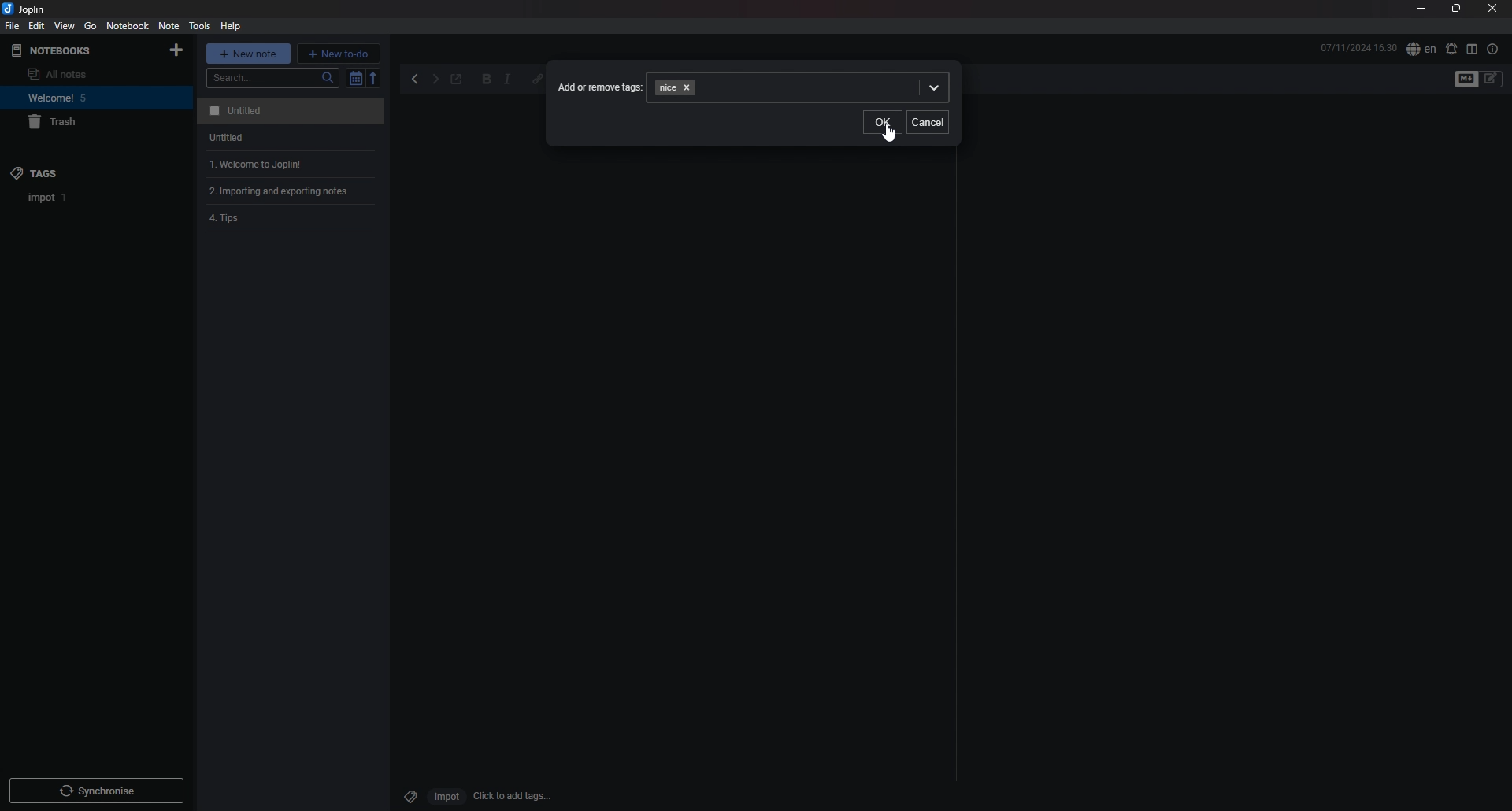 The image size is (1512, 811). What do you see at coordinates (1421, 10) in the screenshot?
I see `minimize` at bounding box center [1421, 10].